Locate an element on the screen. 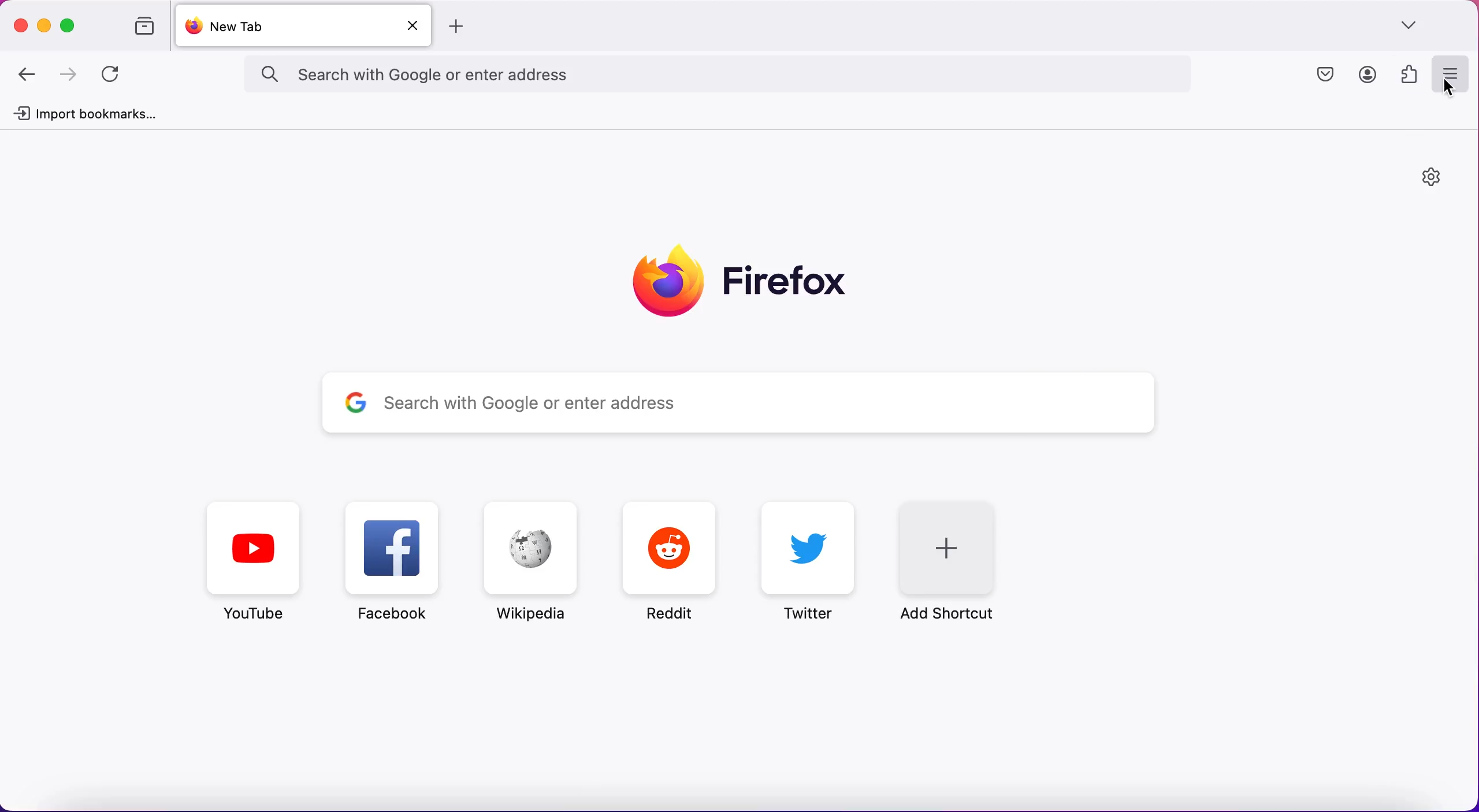 The height and width of the screenshot is (812, 1479). search with google or email address is located at coordinates (736, 404).